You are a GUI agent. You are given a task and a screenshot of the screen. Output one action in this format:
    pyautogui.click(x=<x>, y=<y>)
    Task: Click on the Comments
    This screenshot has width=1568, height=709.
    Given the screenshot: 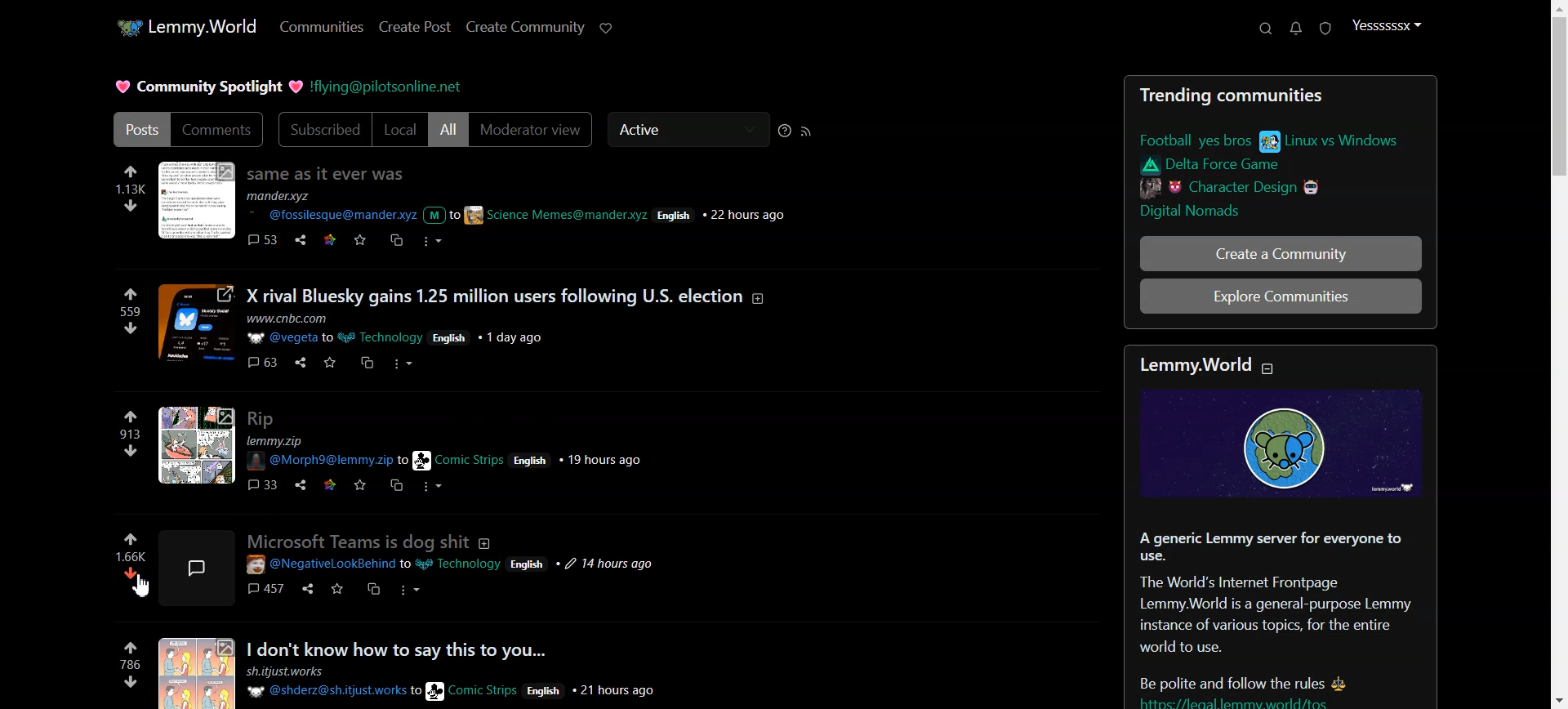 What is the action you would take?
    pyautogui.click(x=219, y=130)
    